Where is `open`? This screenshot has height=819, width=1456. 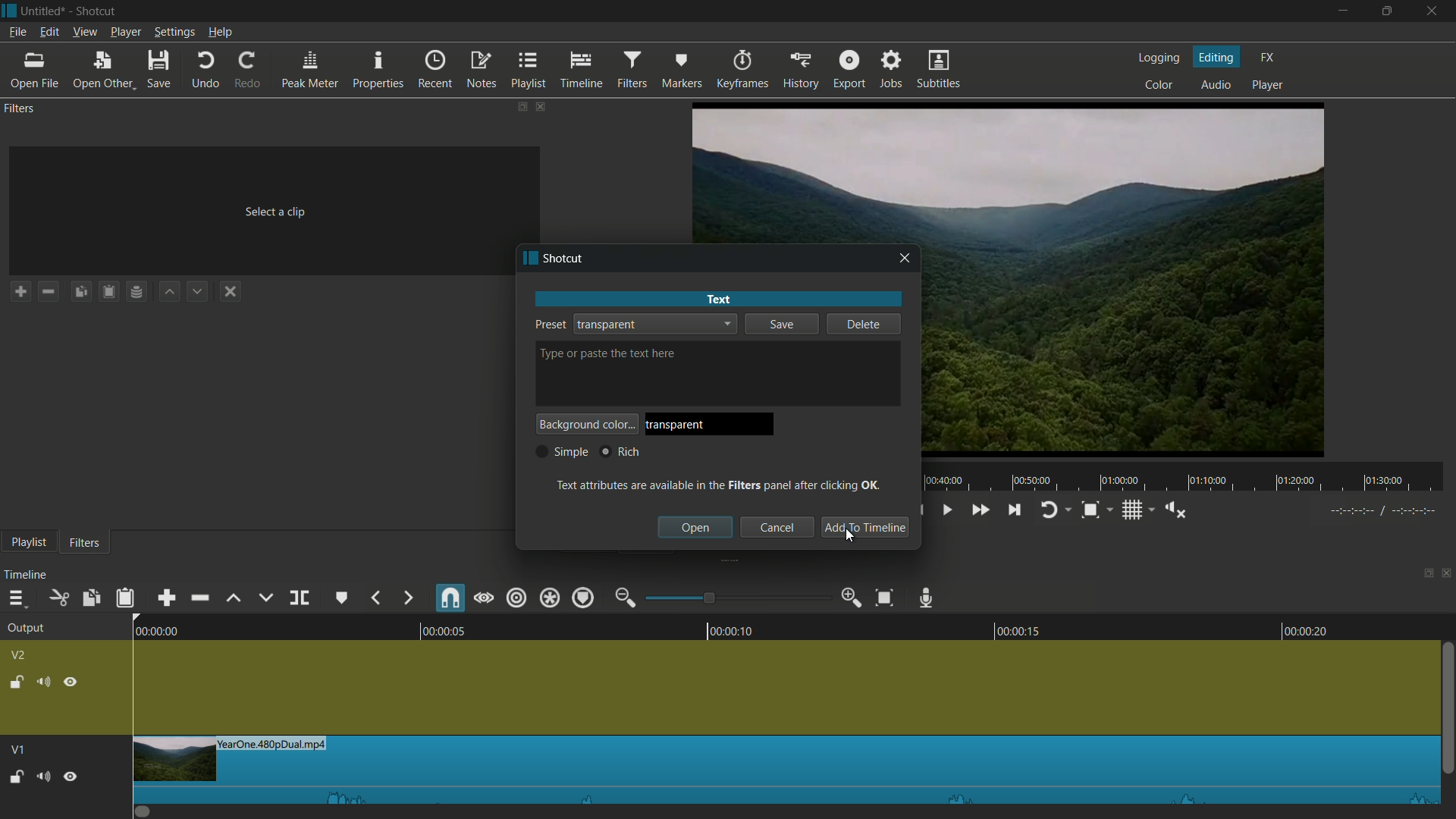
open is located at coordinates (696, 527).